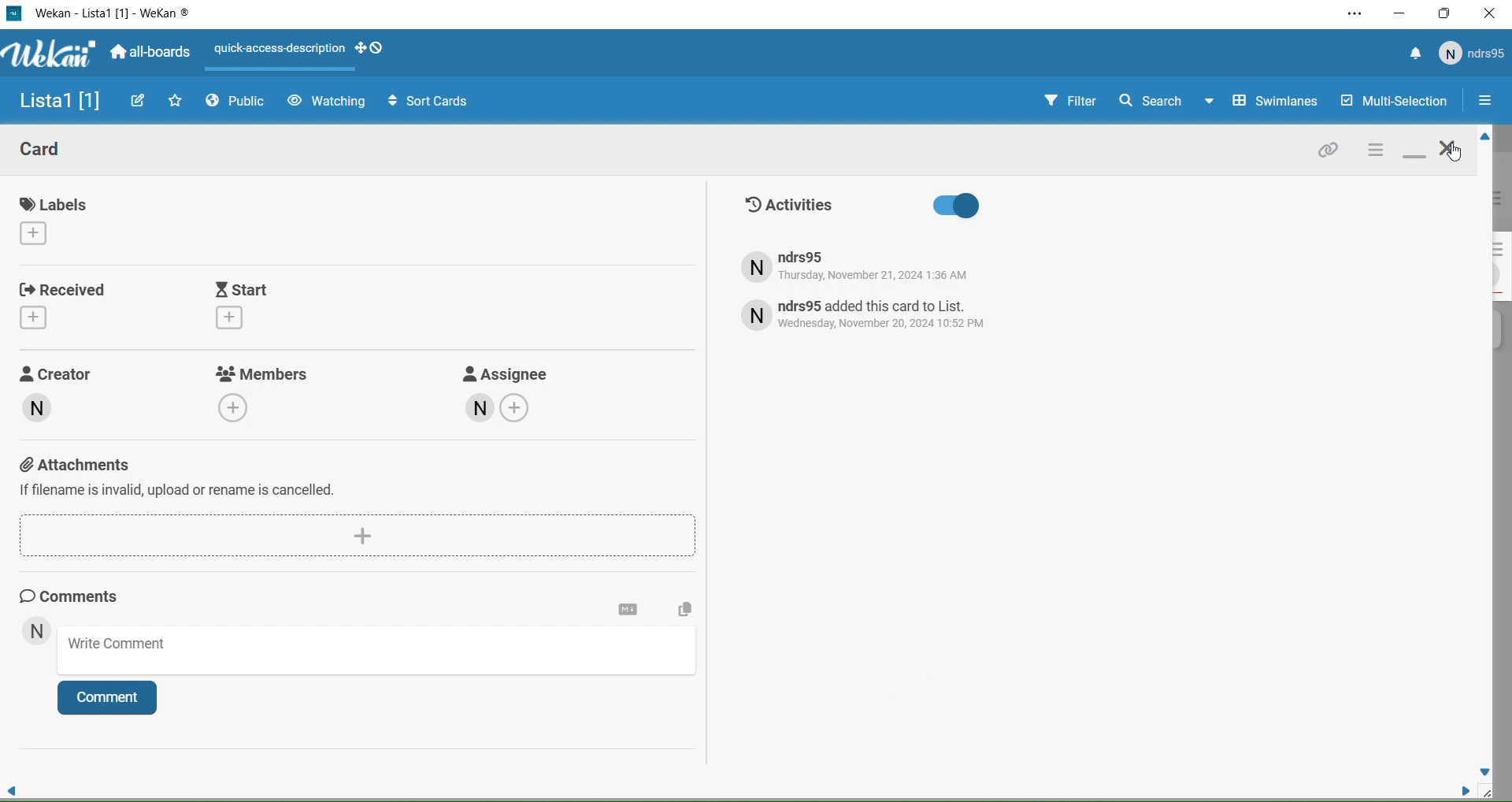 Image resolution: width=1512 pixels, height=802 pixels. I want to click on Wekan logo, so click(46, 55).